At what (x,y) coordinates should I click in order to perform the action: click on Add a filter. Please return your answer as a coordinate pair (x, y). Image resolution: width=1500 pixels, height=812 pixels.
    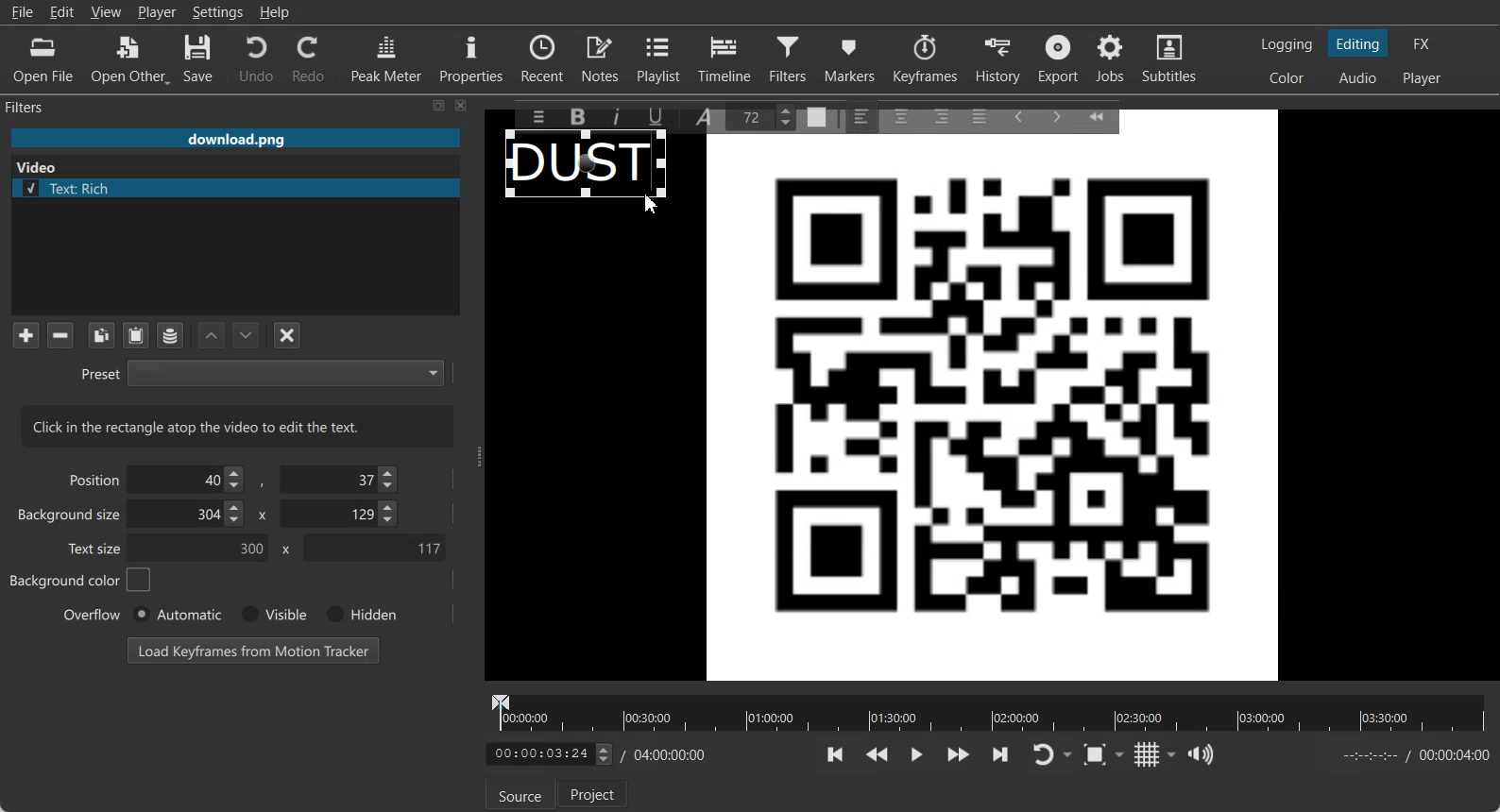
    Looking at the image, I should click on (26, 334).